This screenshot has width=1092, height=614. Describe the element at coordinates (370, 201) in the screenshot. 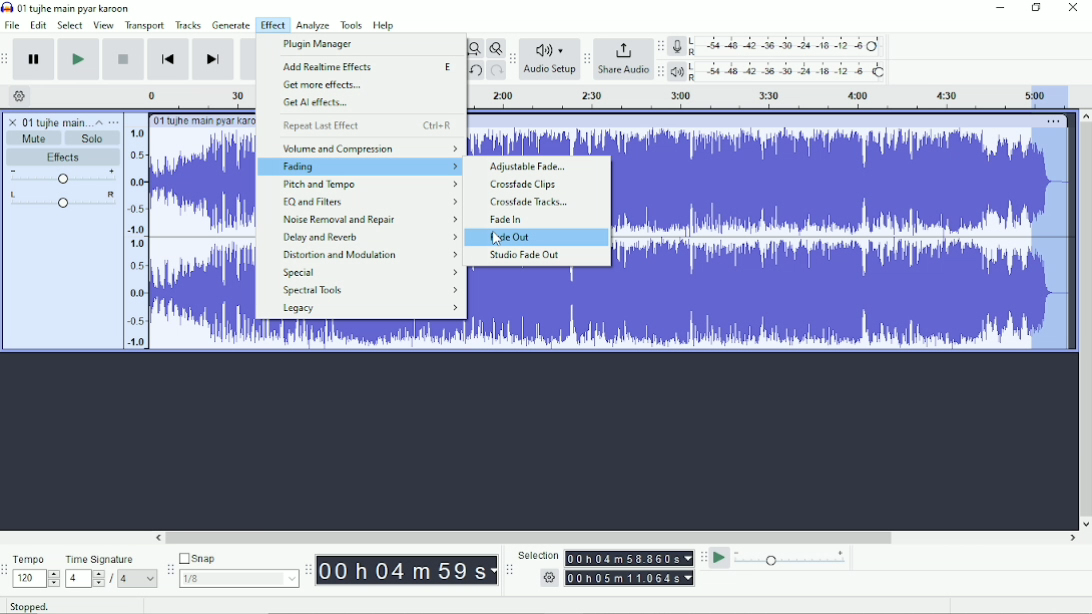

I see `EQ and Filters` at that location.